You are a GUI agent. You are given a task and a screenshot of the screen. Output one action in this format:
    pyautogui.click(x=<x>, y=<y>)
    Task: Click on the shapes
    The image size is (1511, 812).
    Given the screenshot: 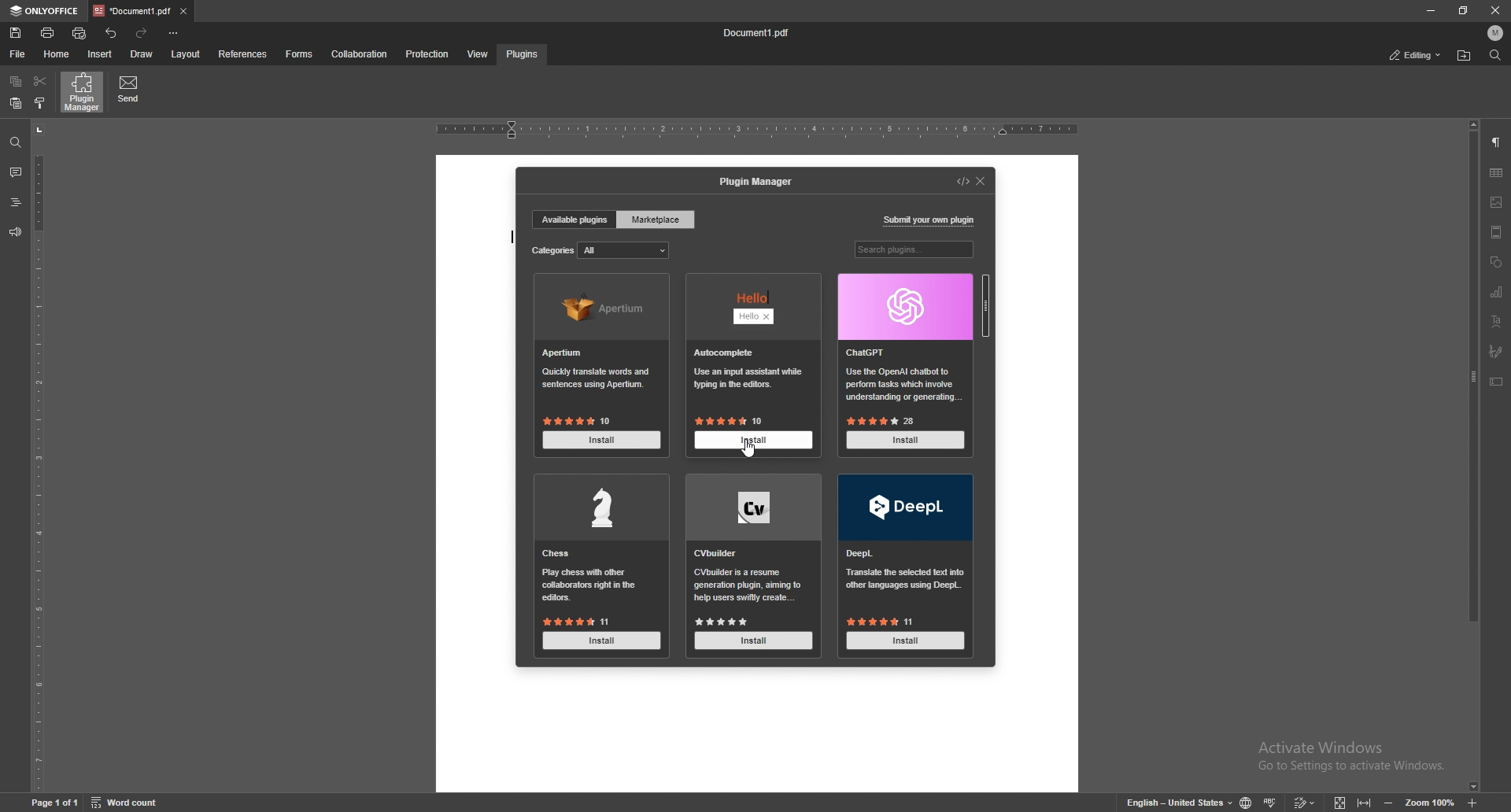 What is the action you would take?
    pyautogui.click(x=1498, y=262)
    